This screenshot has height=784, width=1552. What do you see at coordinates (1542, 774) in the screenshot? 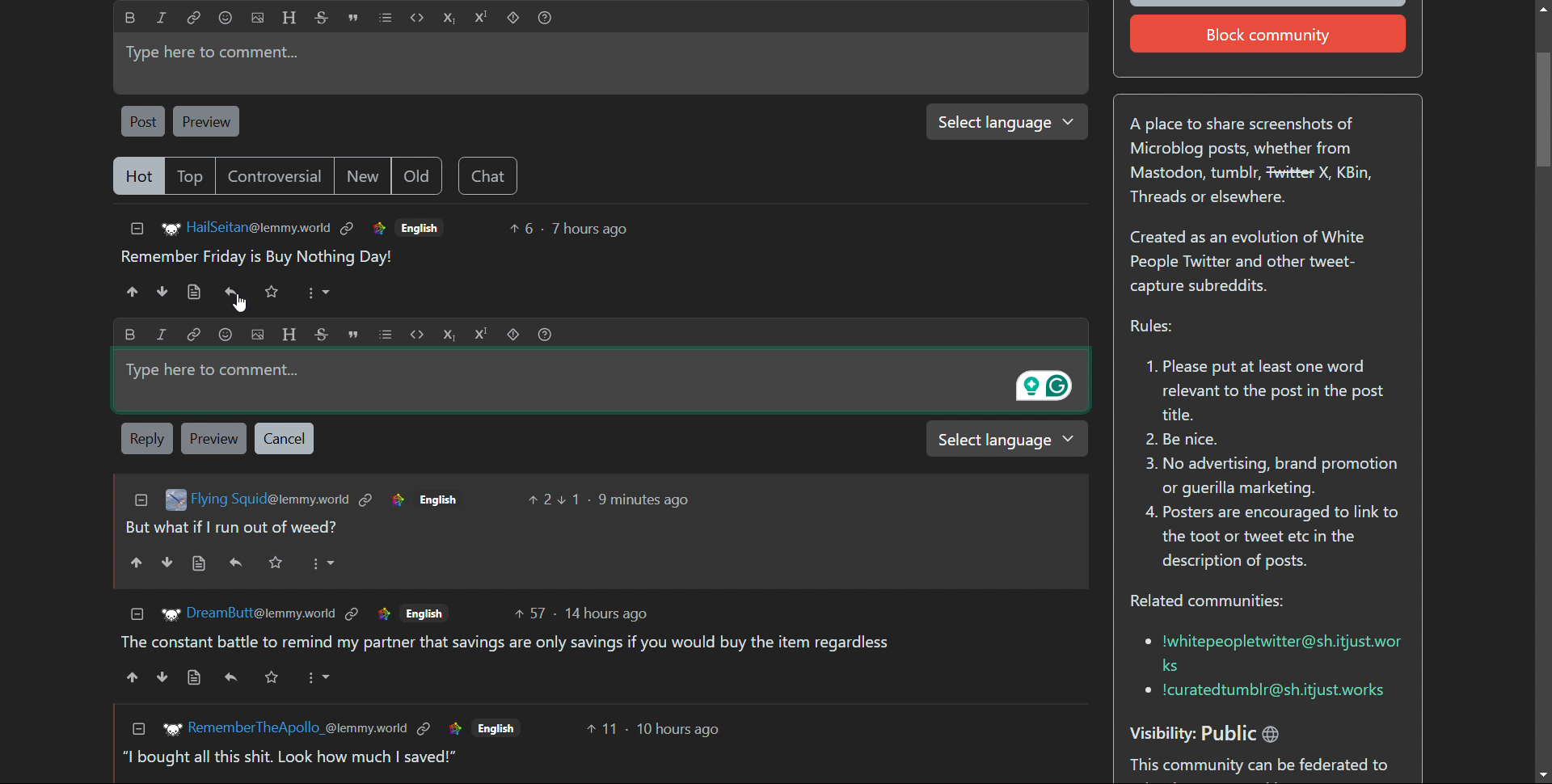
I see `scroll down` at bounding box center [1542, 774].